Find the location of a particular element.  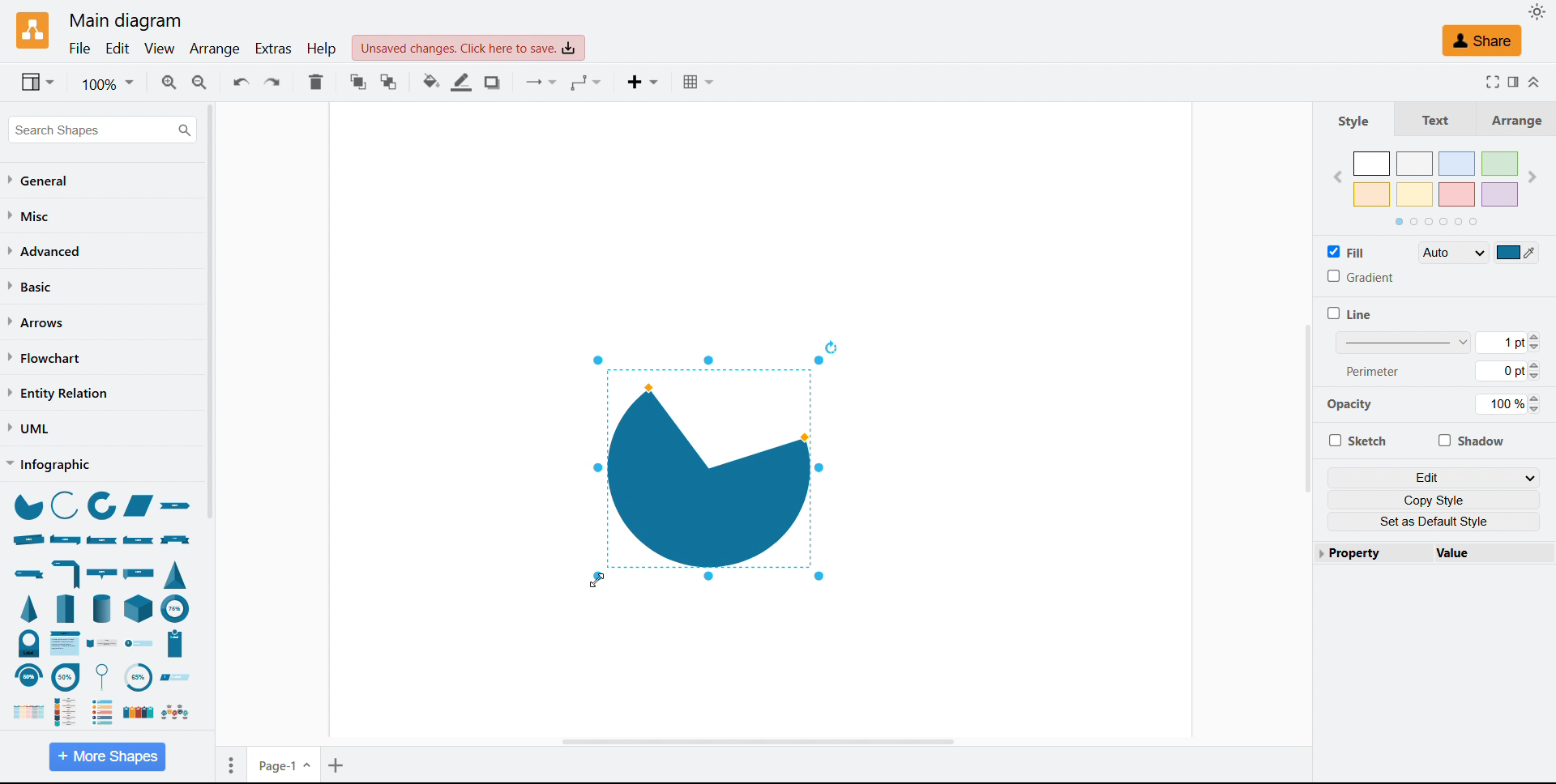

Line colour  is located at coordinates (463, 82).